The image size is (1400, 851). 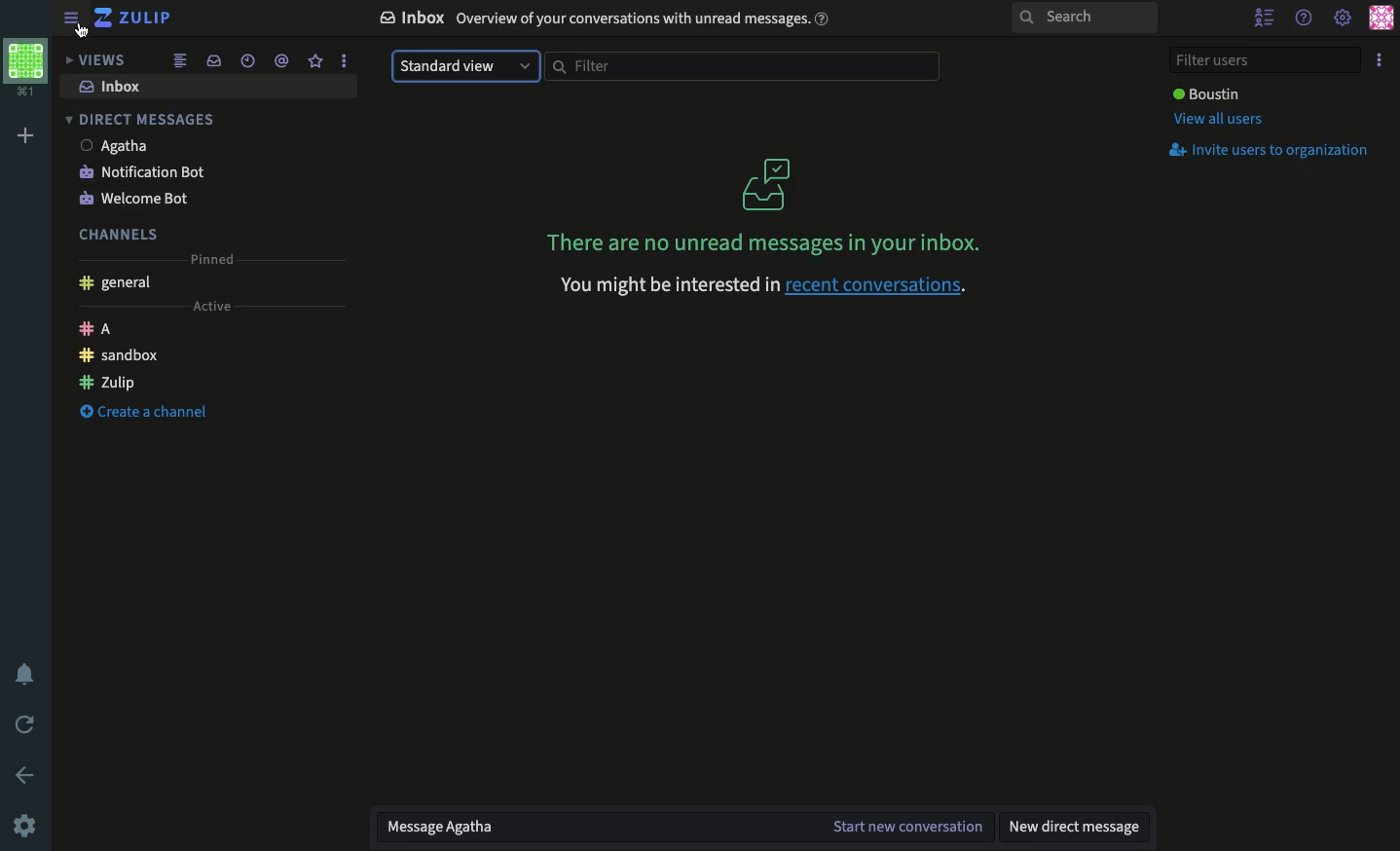 What do you see at coordinates (1266, 18) in the screenshot?
I see `Hide users list` at bounding box center [1266, 18].